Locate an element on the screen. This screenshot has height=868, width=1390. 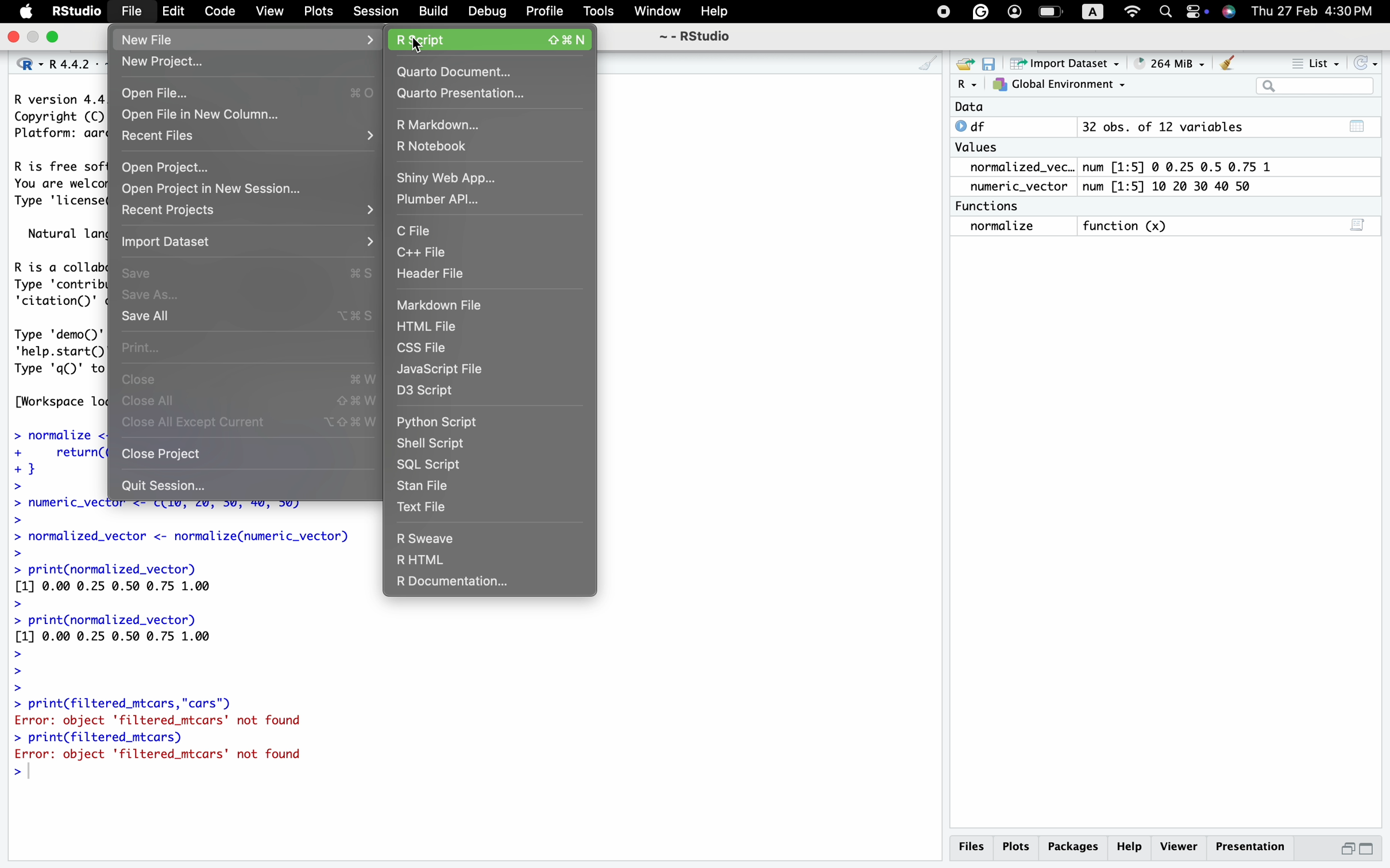
32 obs. of 12 variables is located at coordinates (1164, 126).